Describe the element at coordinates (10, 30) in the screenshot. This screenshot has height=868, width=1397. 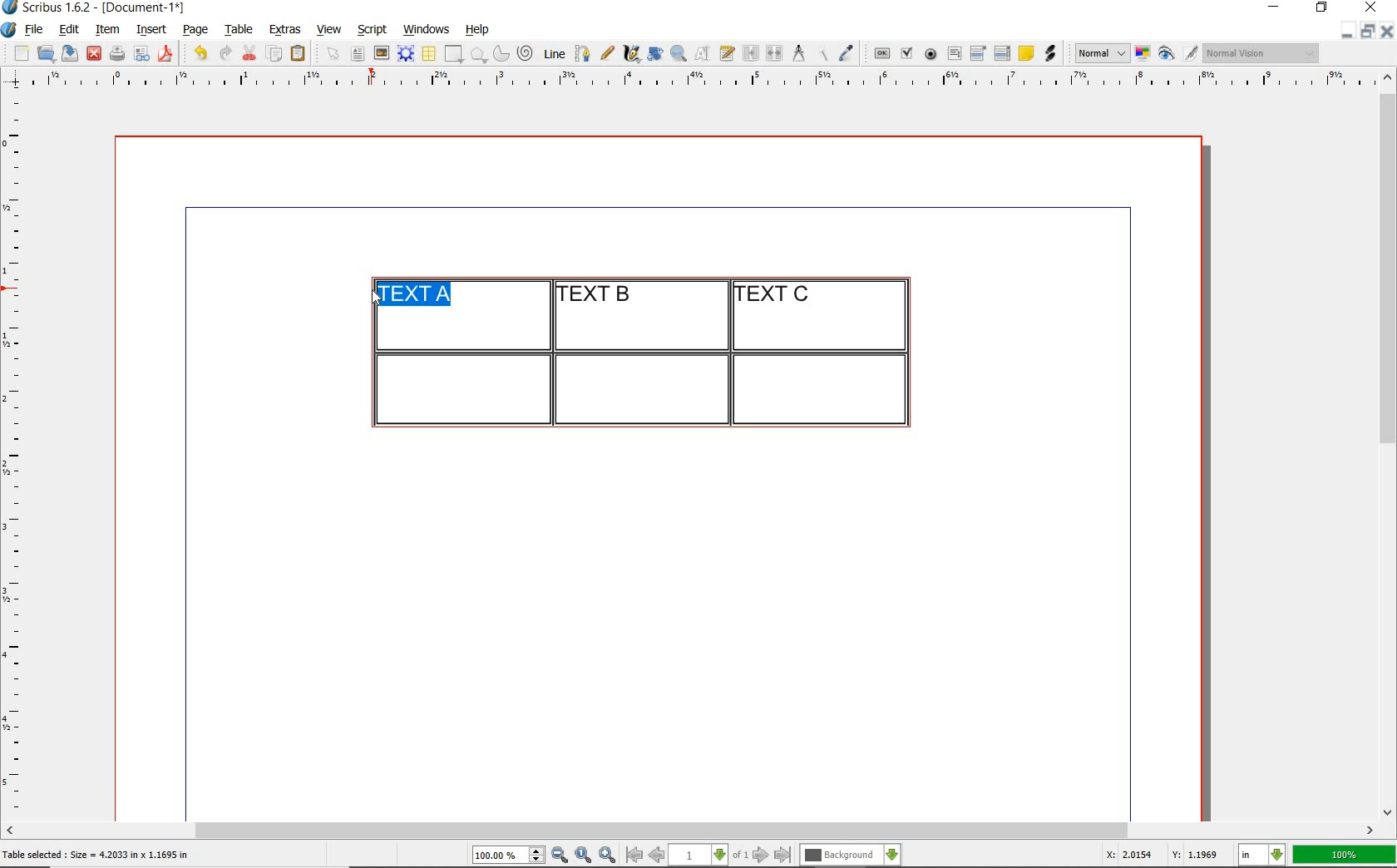
I see `system logo` at that location.